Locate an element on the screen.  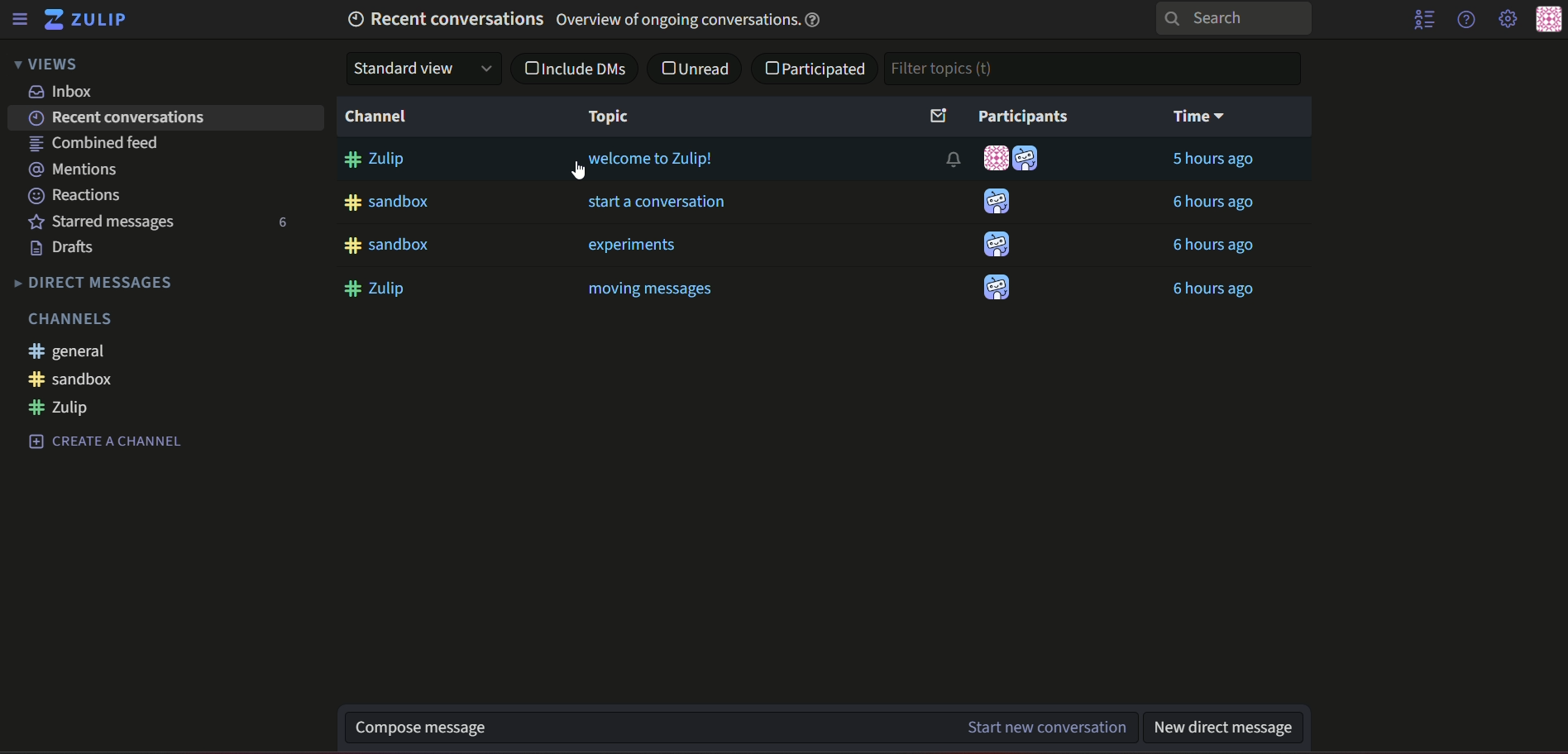
search bar is located at coordinates (1239, 19).